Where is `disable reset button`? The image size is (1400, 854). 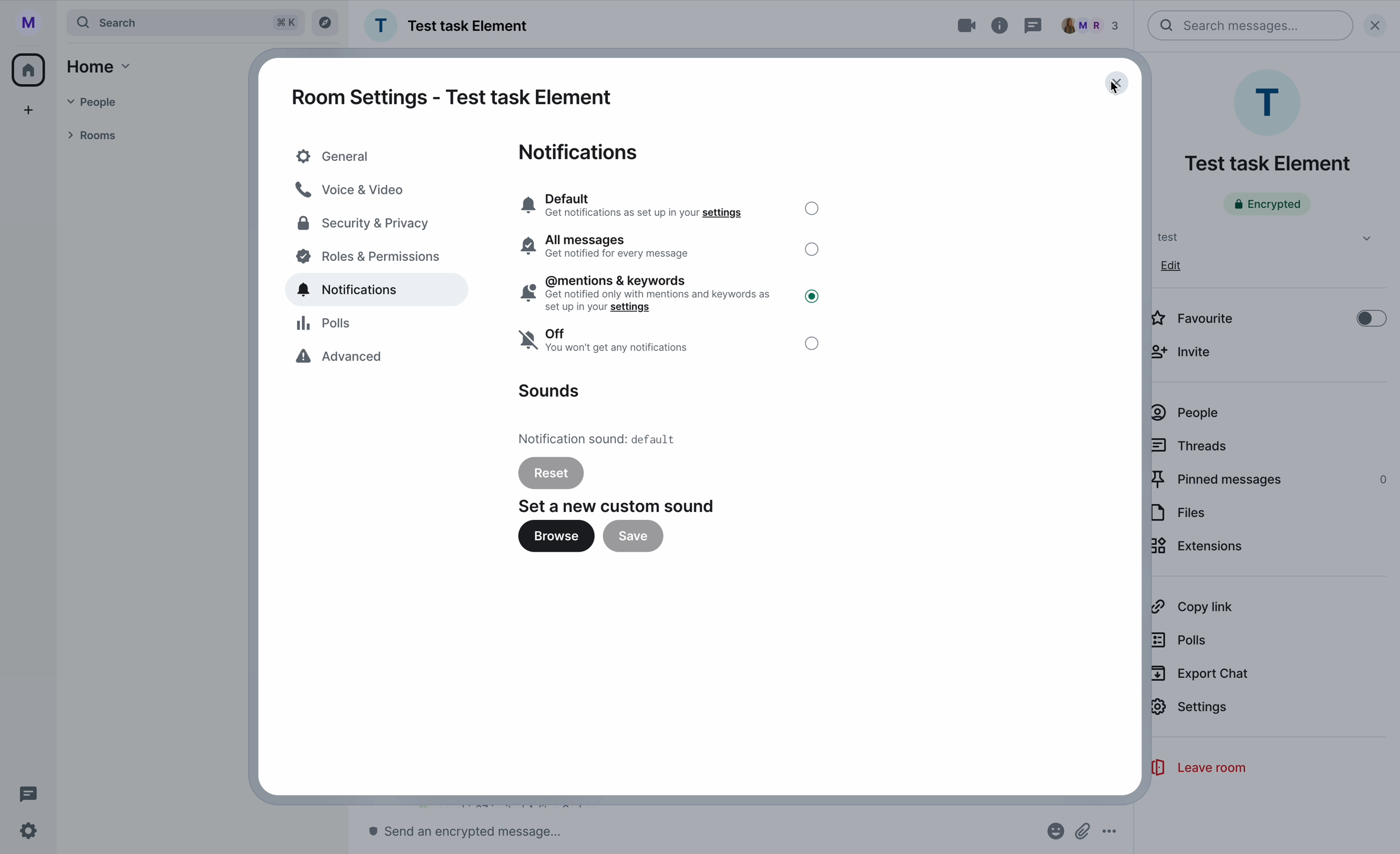
disable reset button is located at coordinates (551, 472).